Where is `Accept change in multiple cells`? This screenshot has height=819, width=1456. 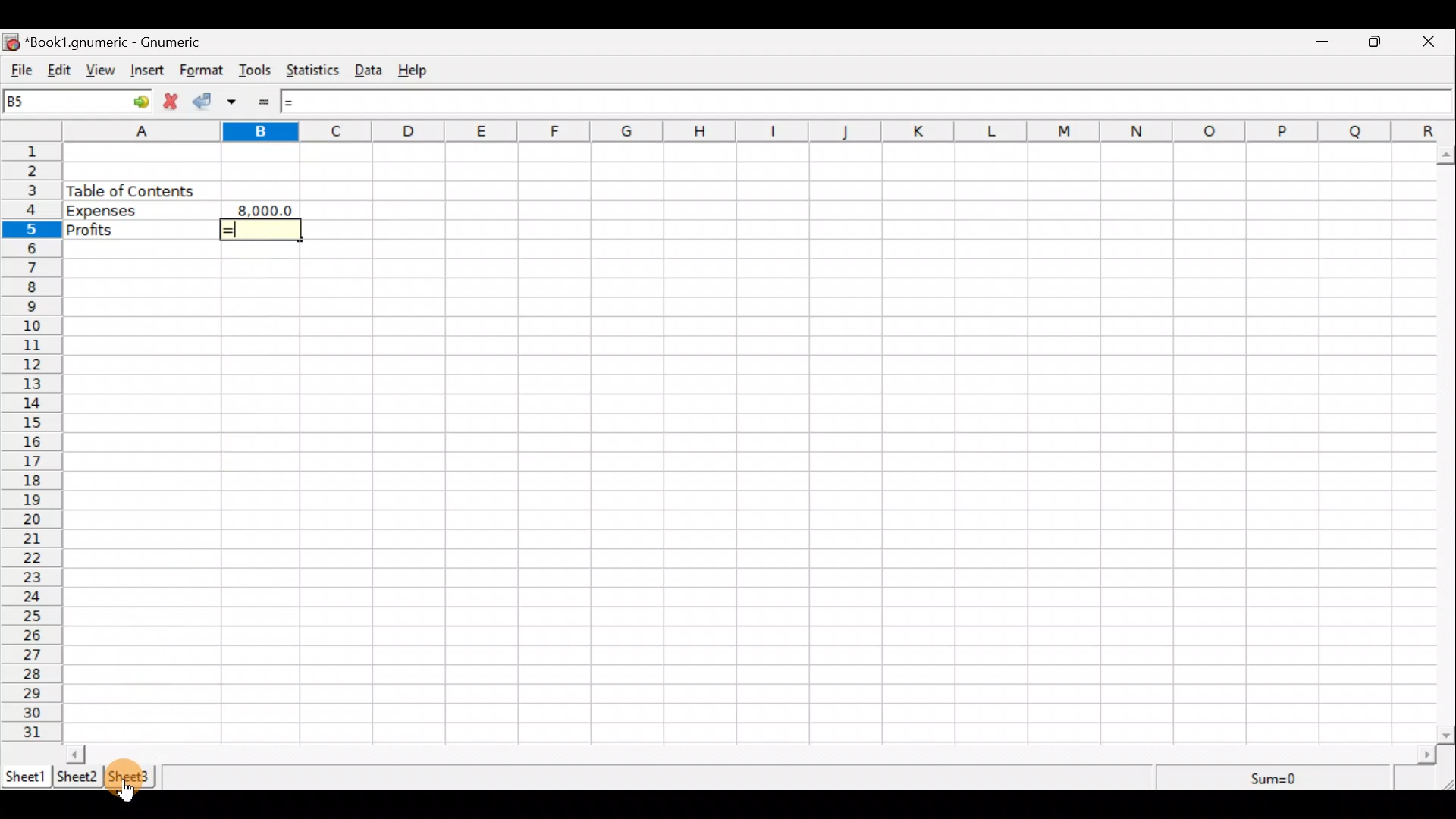
Accept change in multiple cells is located at coordinates (237, 102).